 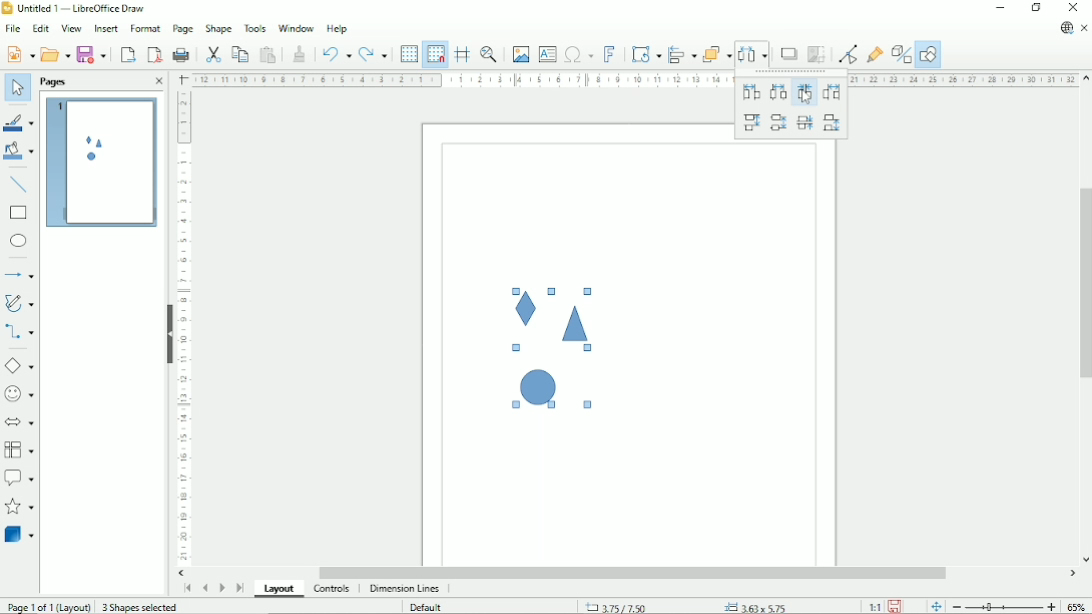 What do you see at coordinates (1072, 575) in the screenshot?
I see `Horizontal scroll button` at bounding box center [1072, 575].